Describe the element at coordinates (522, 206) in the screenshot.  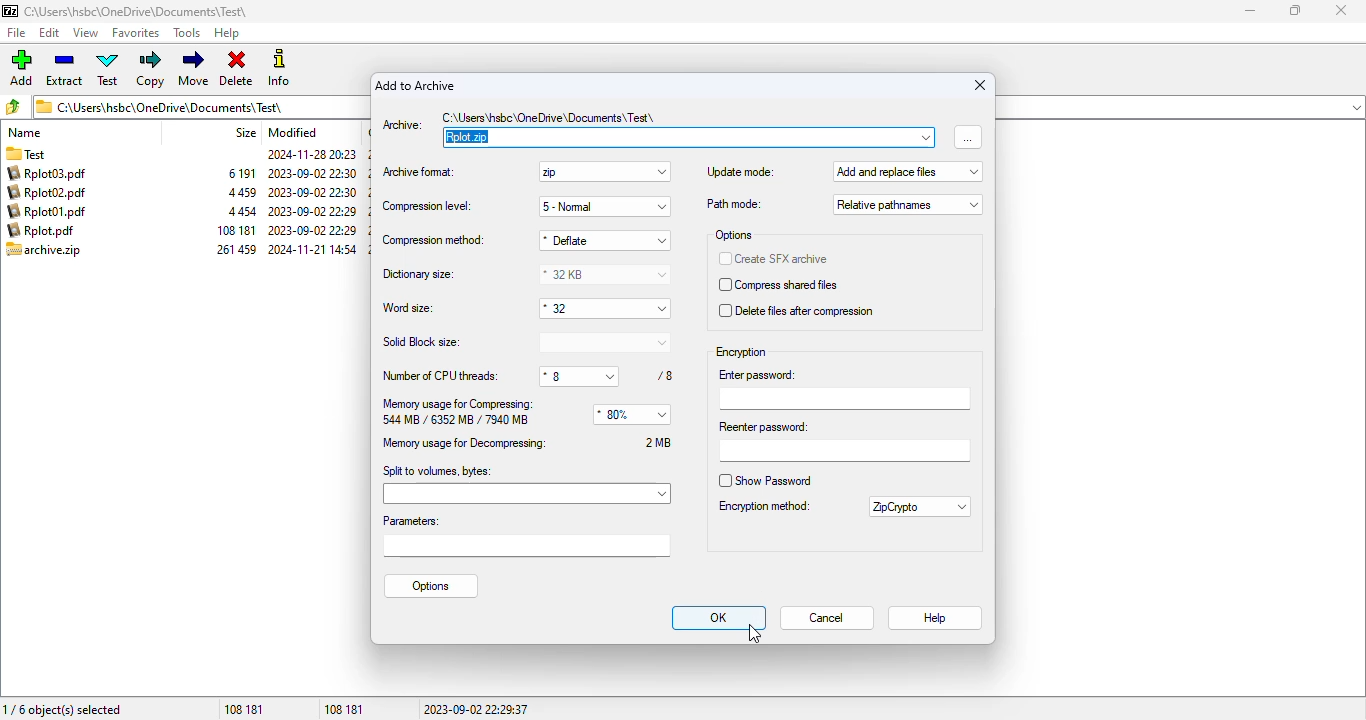
I see `compression level: 5-normal` at that location.